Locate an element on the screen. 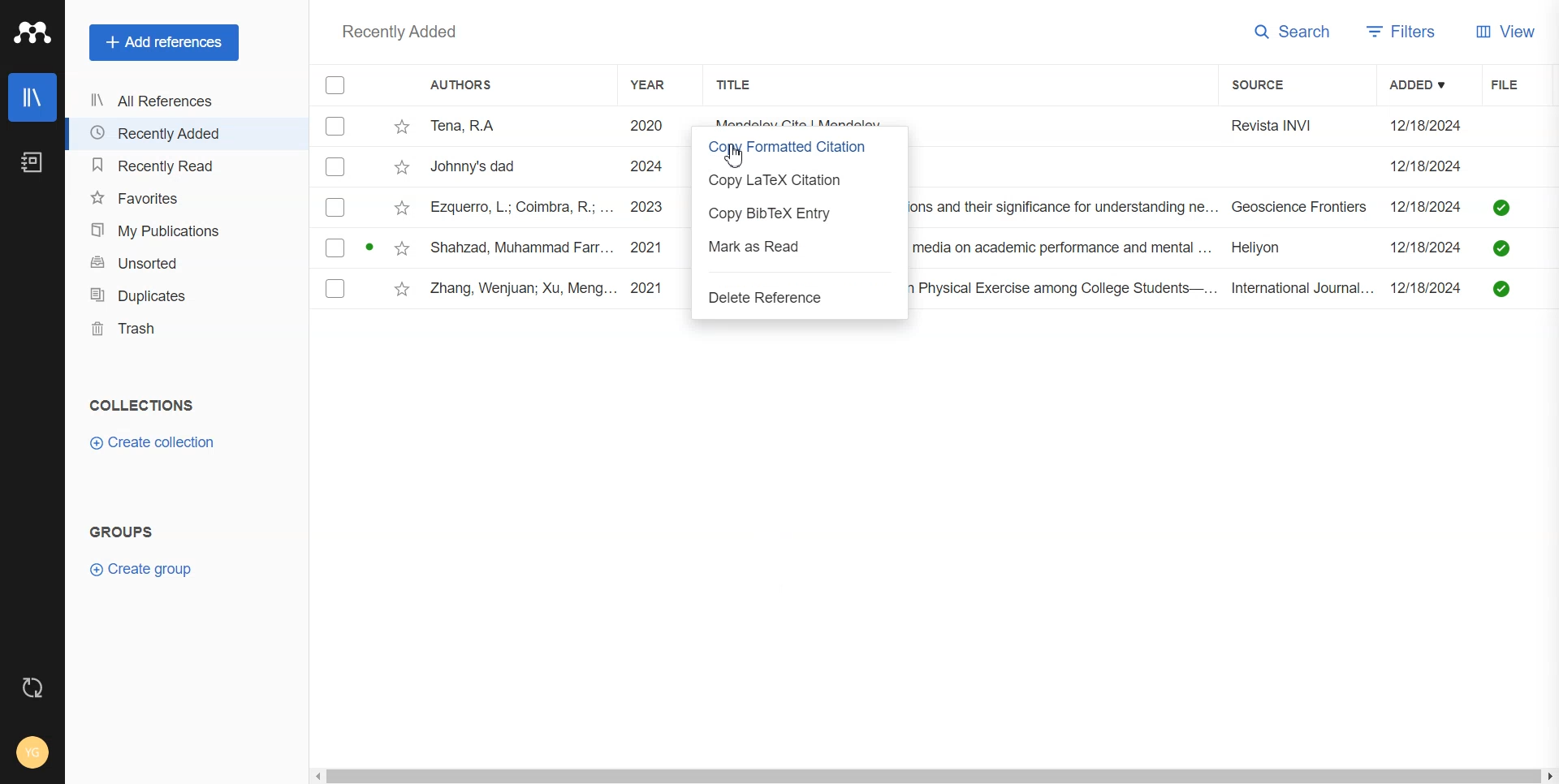 The image size is (1559, 784). COLLECTIONS is located at coordinates (143, 405).